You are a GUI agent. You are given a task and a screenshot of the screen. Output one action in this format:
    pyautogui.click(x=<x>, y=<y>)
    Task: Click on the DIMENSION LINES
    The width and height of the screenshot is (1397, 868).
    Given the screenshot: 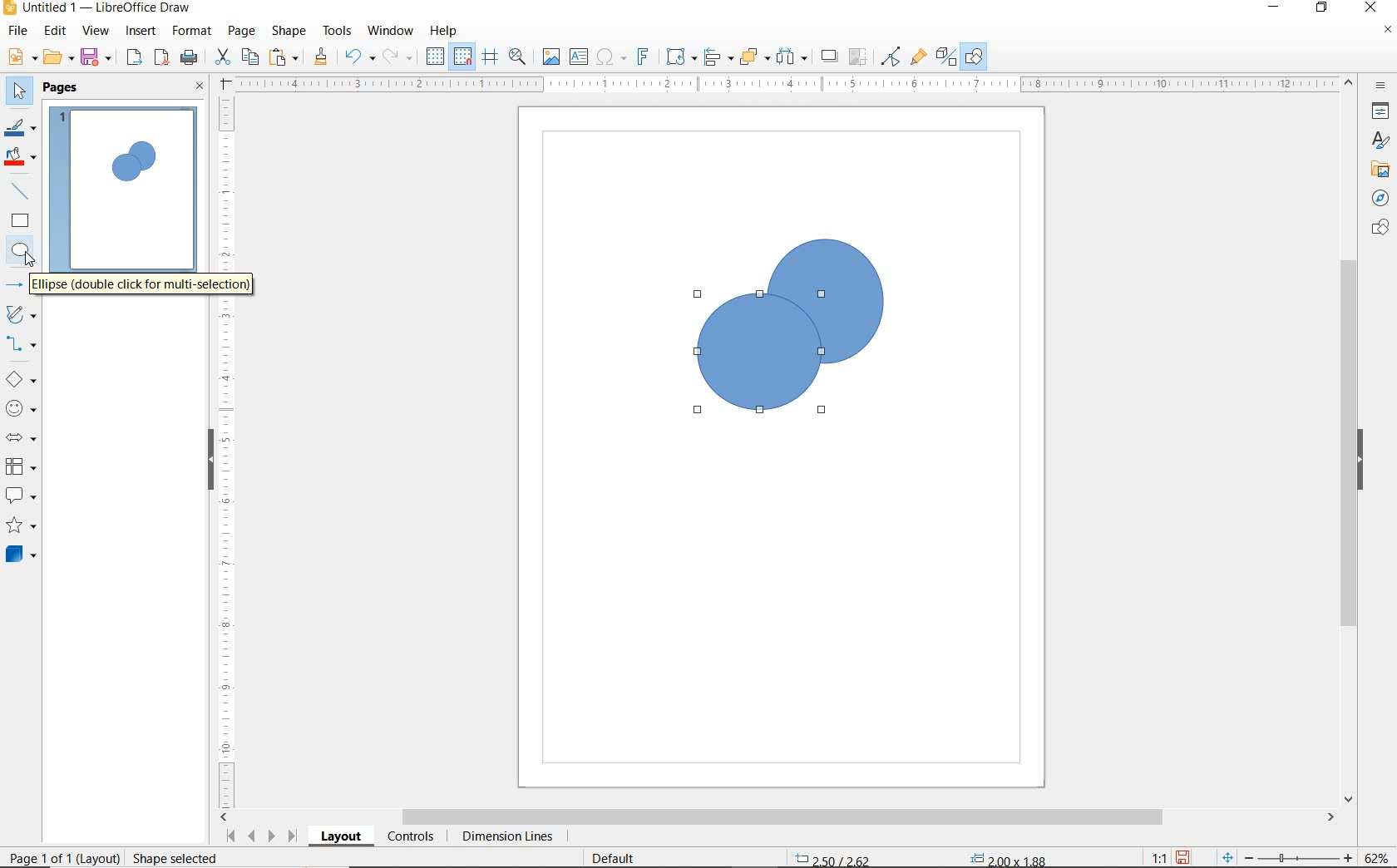 What is the action you would take?
    pyautogui.click(x=505, y=838)
    